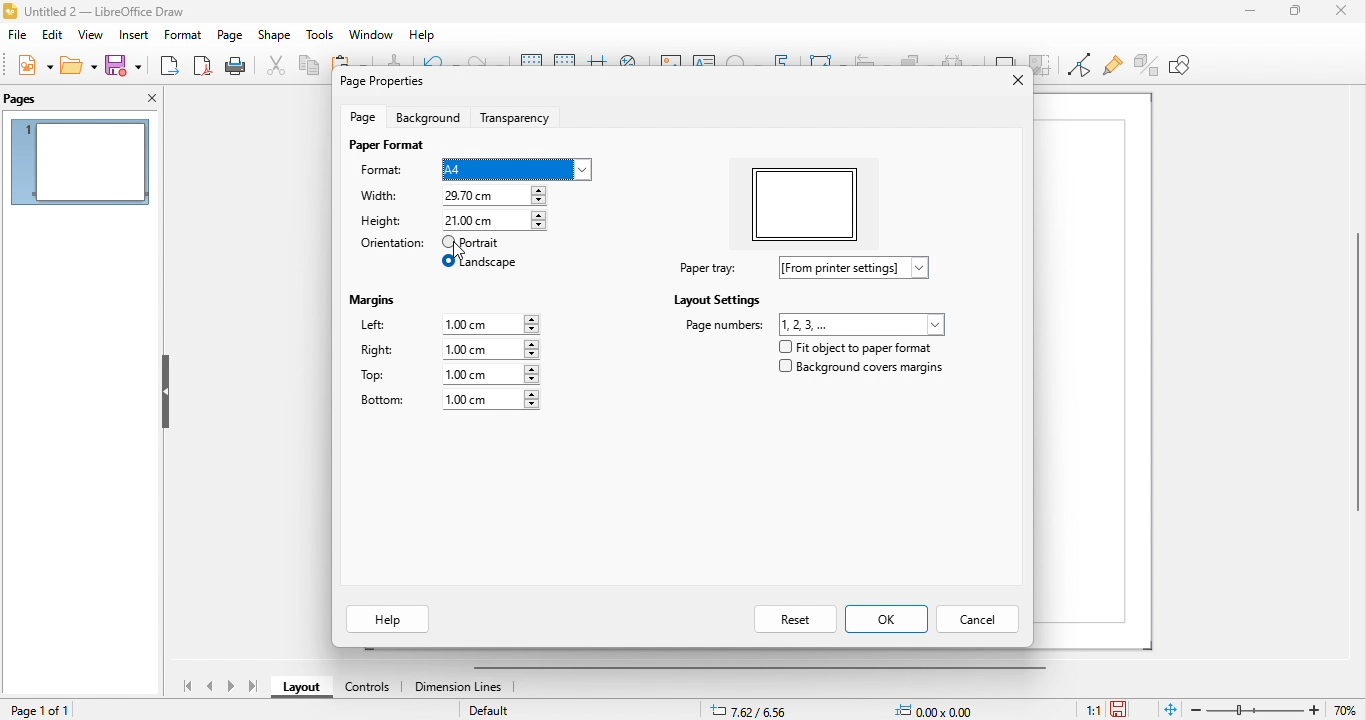 The height and width of the screenshot is (720, 1366). What do you see at coordinates (1288, 13) in the screenshot?
I see `maximize` at bounding box center [1288, 13].